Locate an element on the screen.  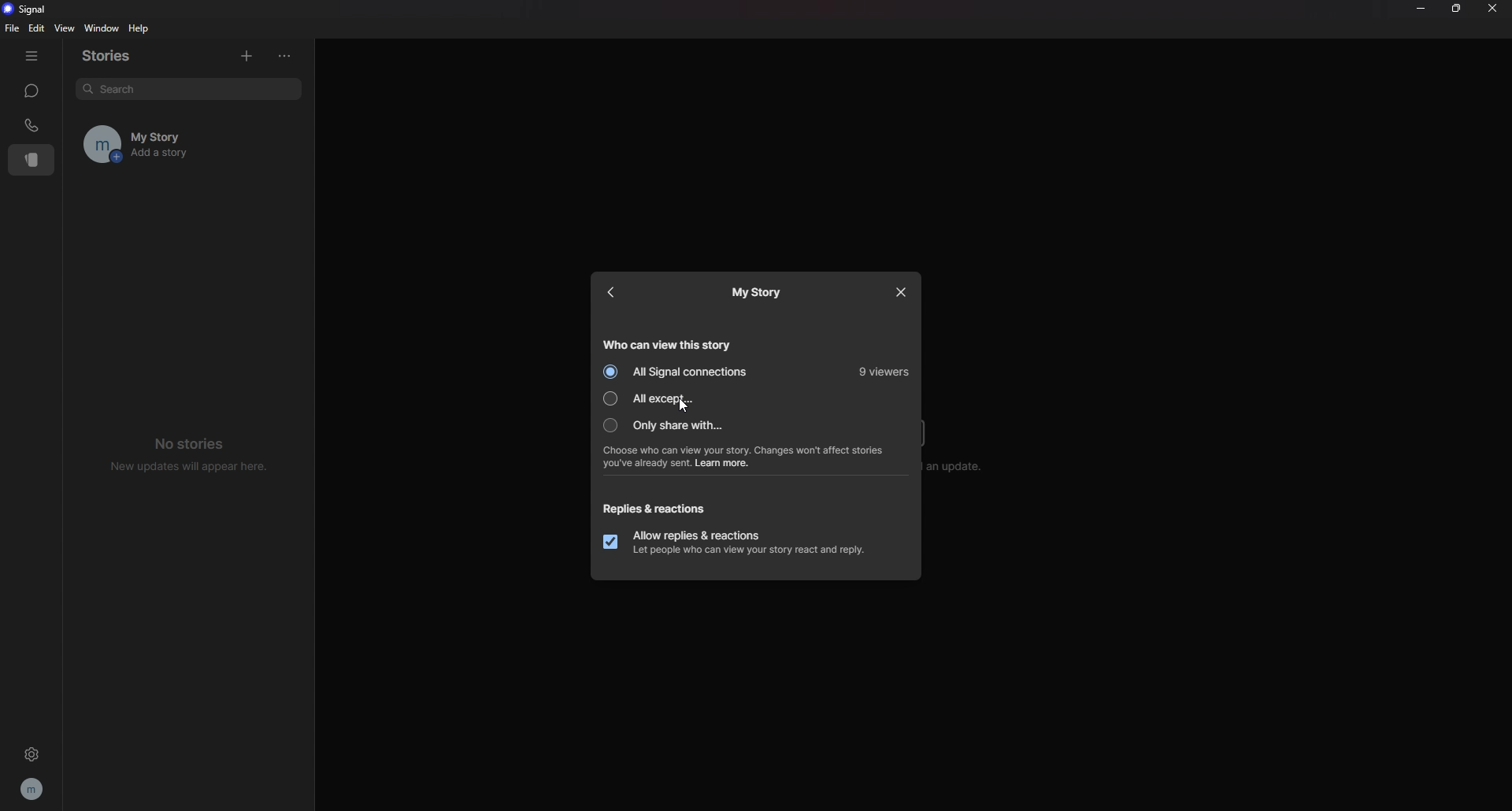
stories is located at coordinates (117, 56).